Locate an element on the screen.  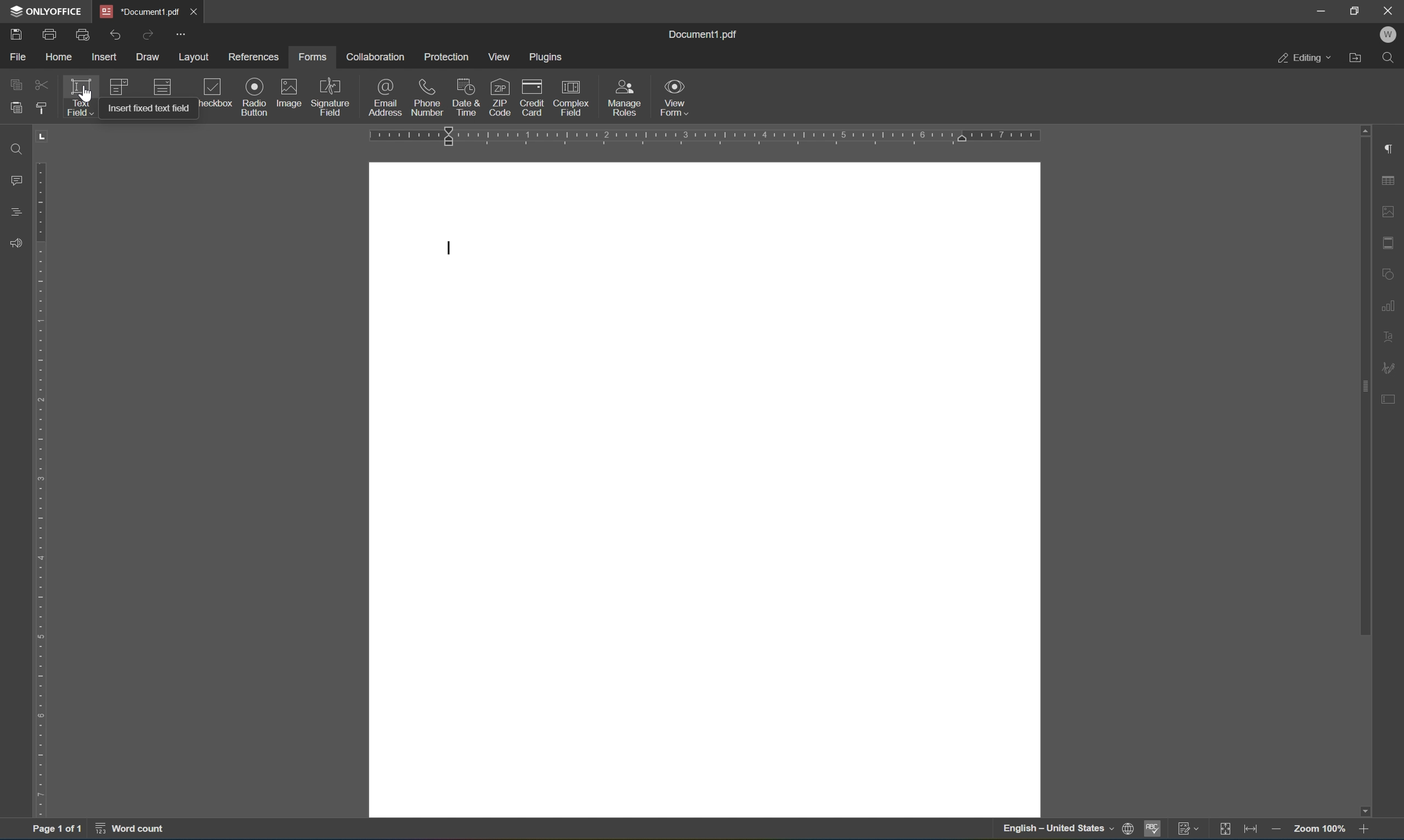
customize quick access toolbar is located at coordinates (179, 33).